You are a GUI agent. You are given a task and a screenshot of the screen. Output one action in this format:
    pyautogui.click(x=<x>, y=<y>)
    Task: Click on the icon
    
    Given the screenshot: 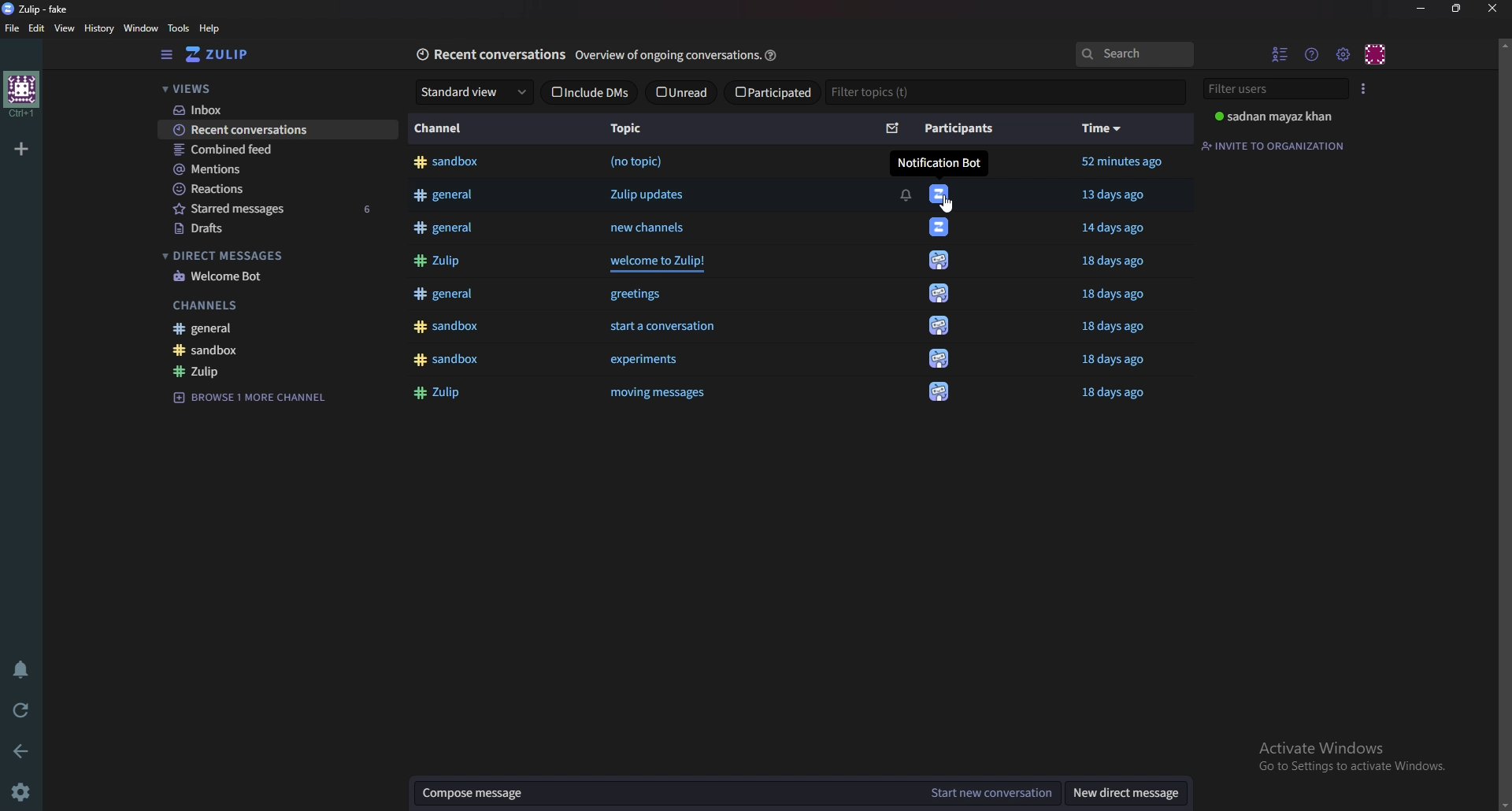 What is the action you would take?
    pyautogui.click(x=939, y=228)
    